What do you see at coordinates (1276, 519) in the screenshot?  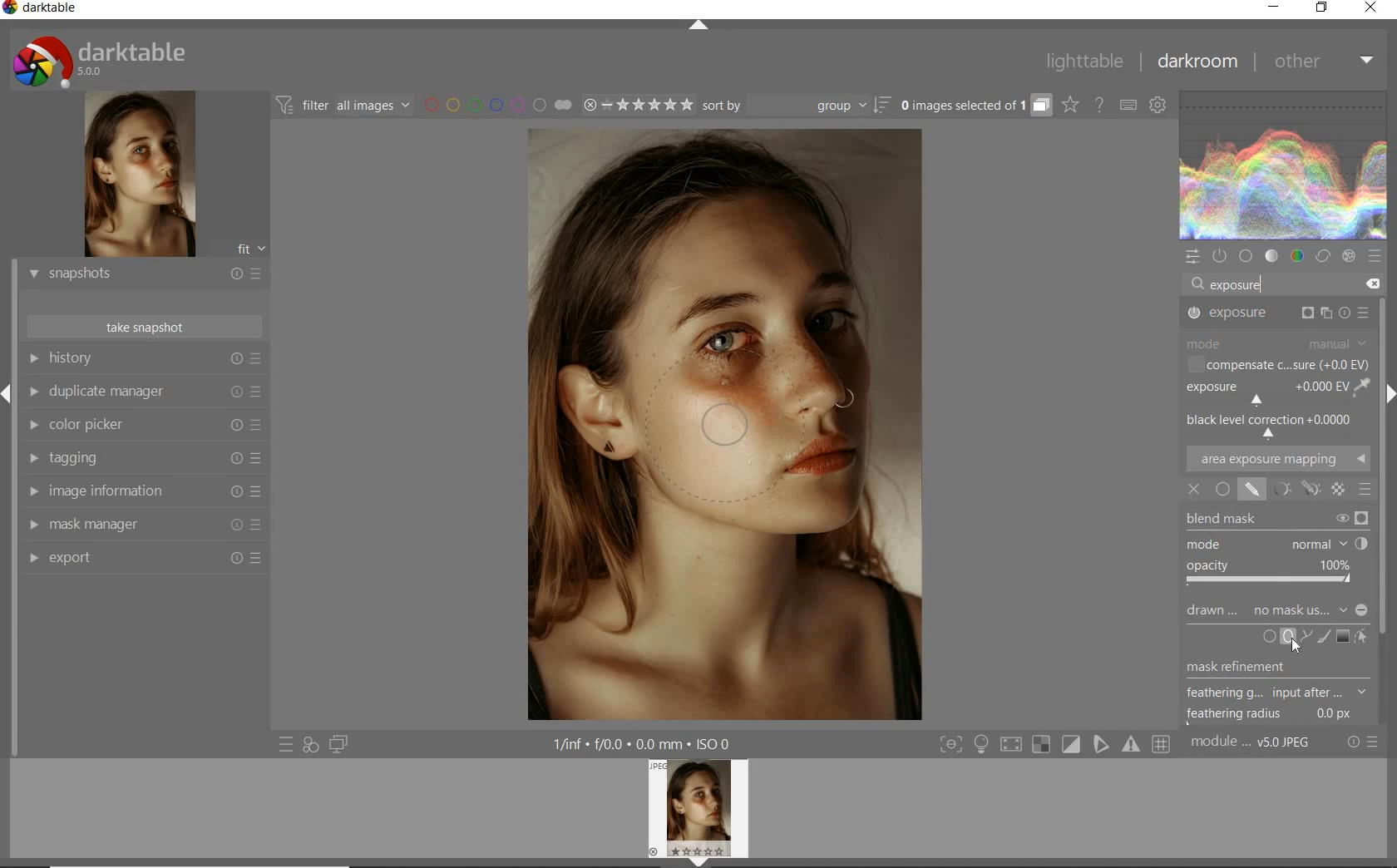 I see `BLEND MASK` at bounding box center [1276, 519].